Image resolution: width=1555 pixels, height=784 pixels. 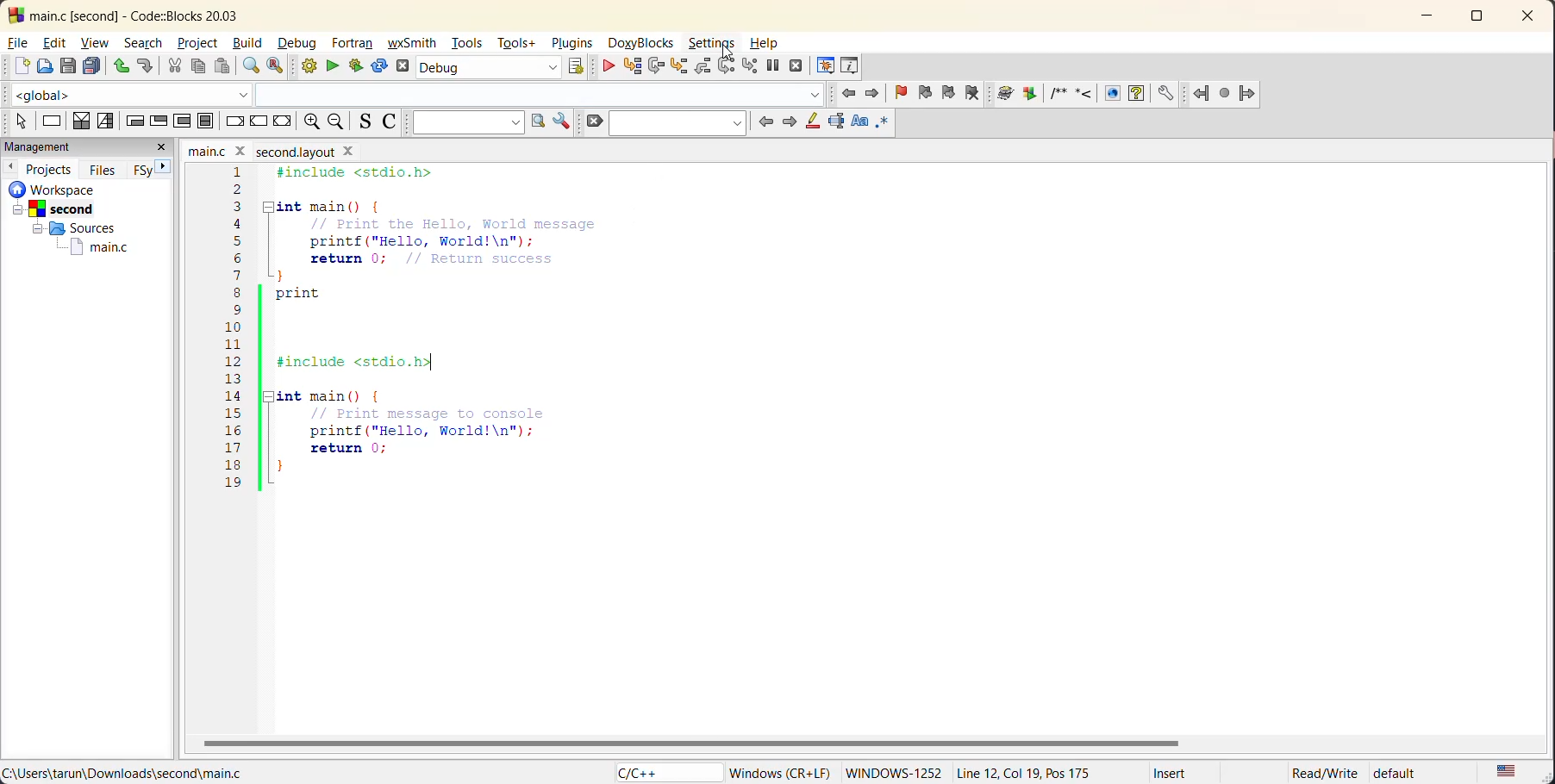 I want to click on jump forward, so click(x=1256, y=92).